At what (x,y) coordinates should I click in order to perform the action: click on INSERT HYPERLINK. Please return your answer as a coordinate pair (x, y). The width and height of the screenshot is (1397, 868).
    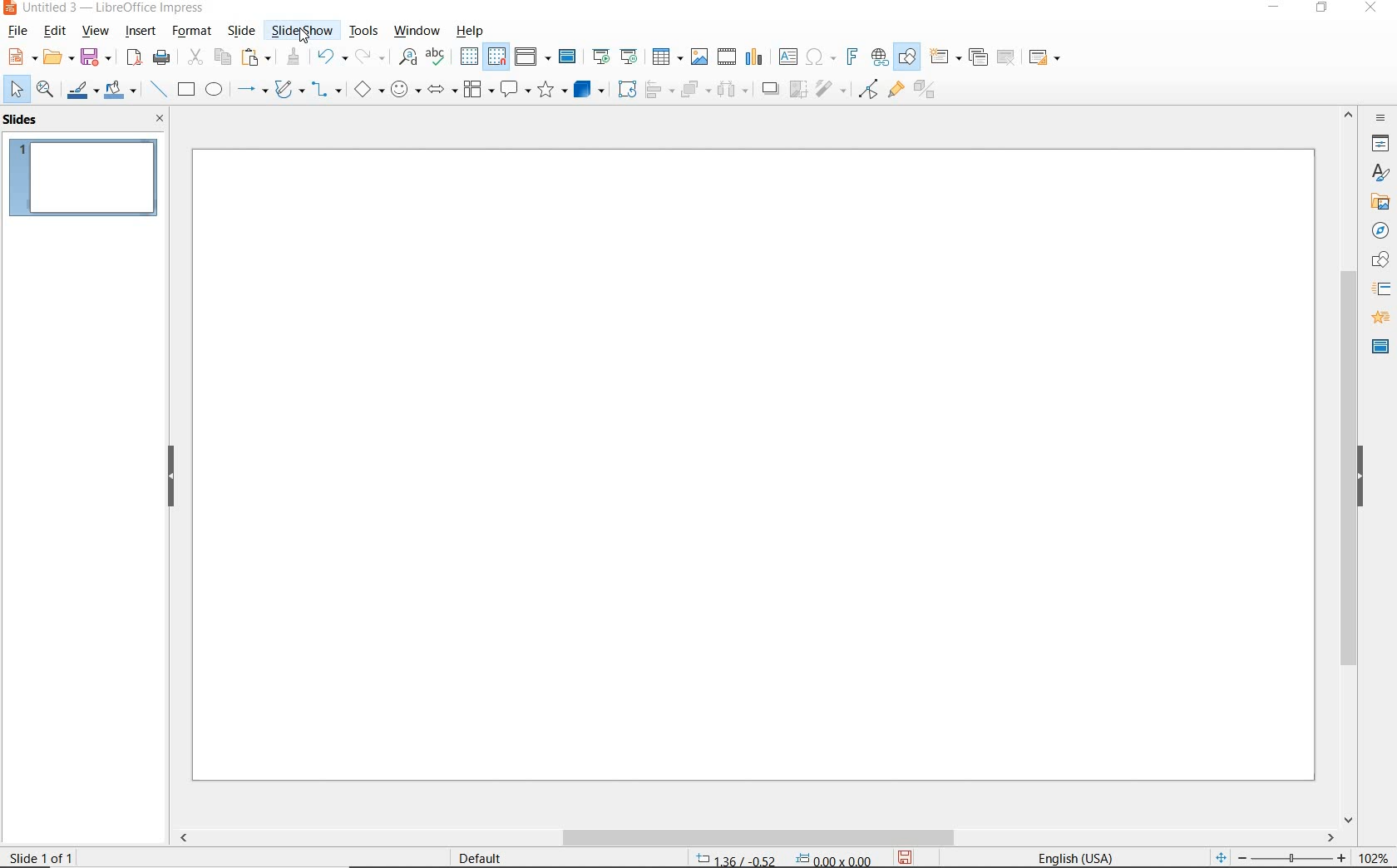
    Looking at the image, I should click on (878, 56).